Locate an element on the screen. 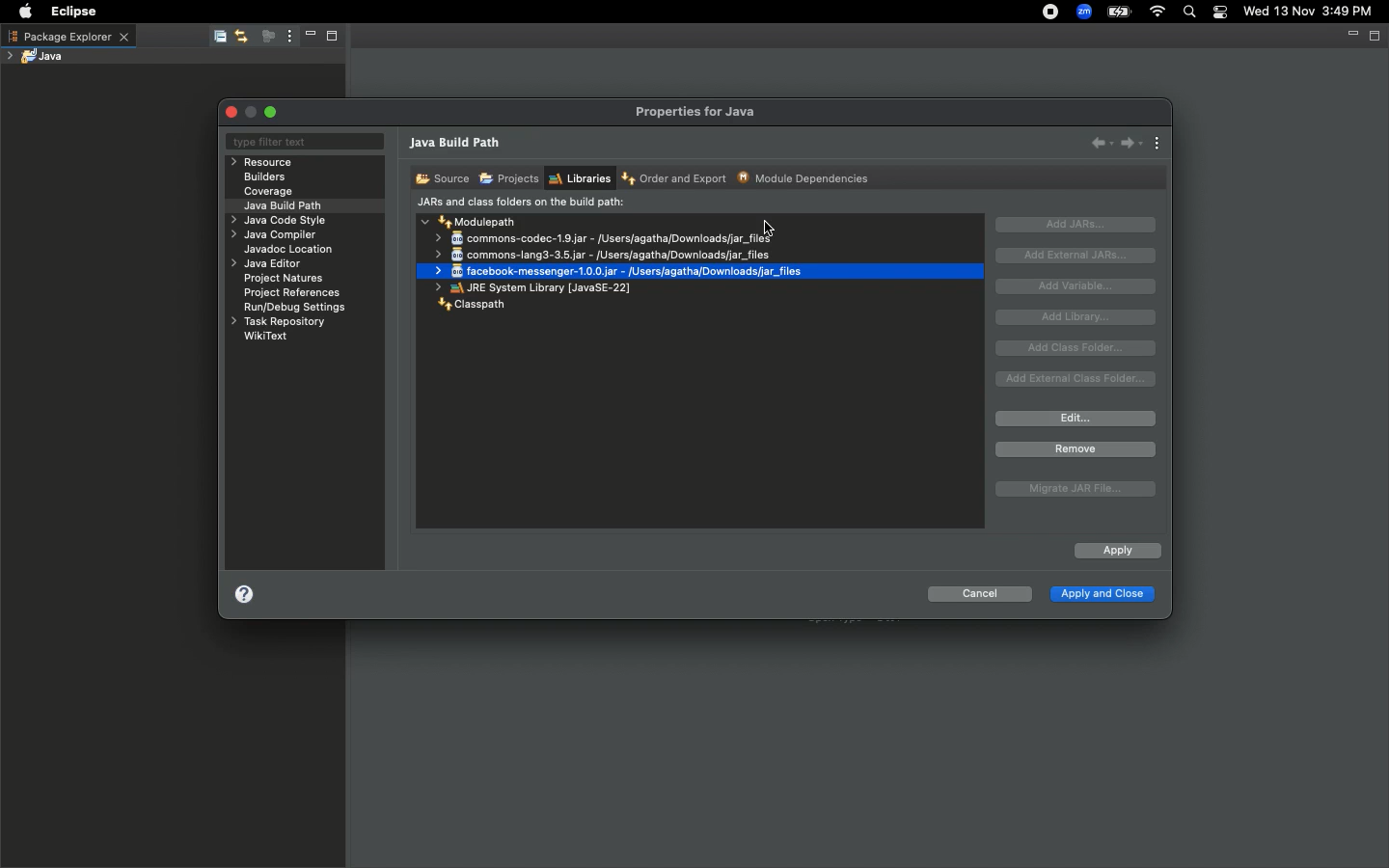  Edit is located at coordinates (1076, 419).